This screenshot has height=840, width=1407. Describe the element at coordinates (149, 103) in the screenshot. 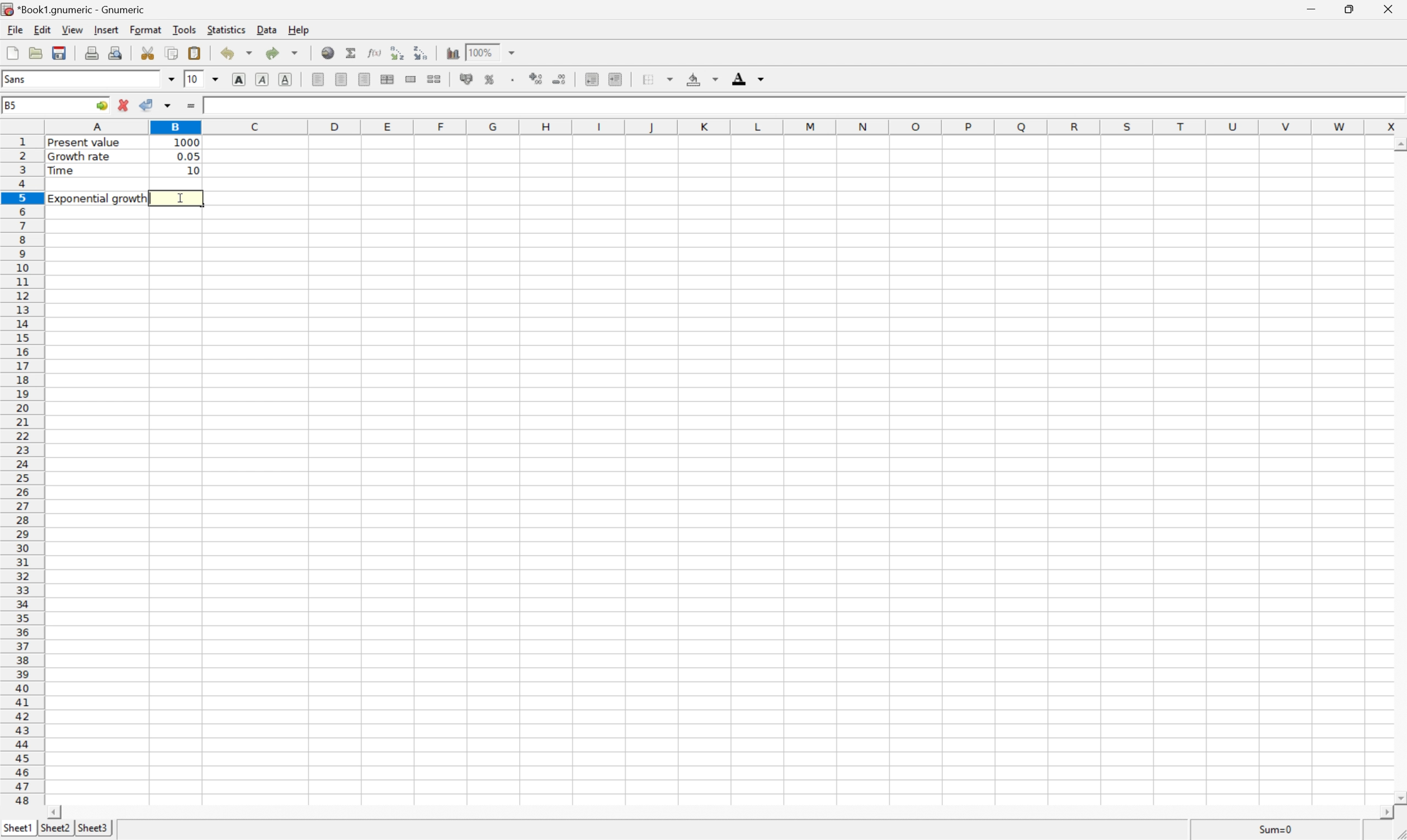

I see `Accept changes` at that location.